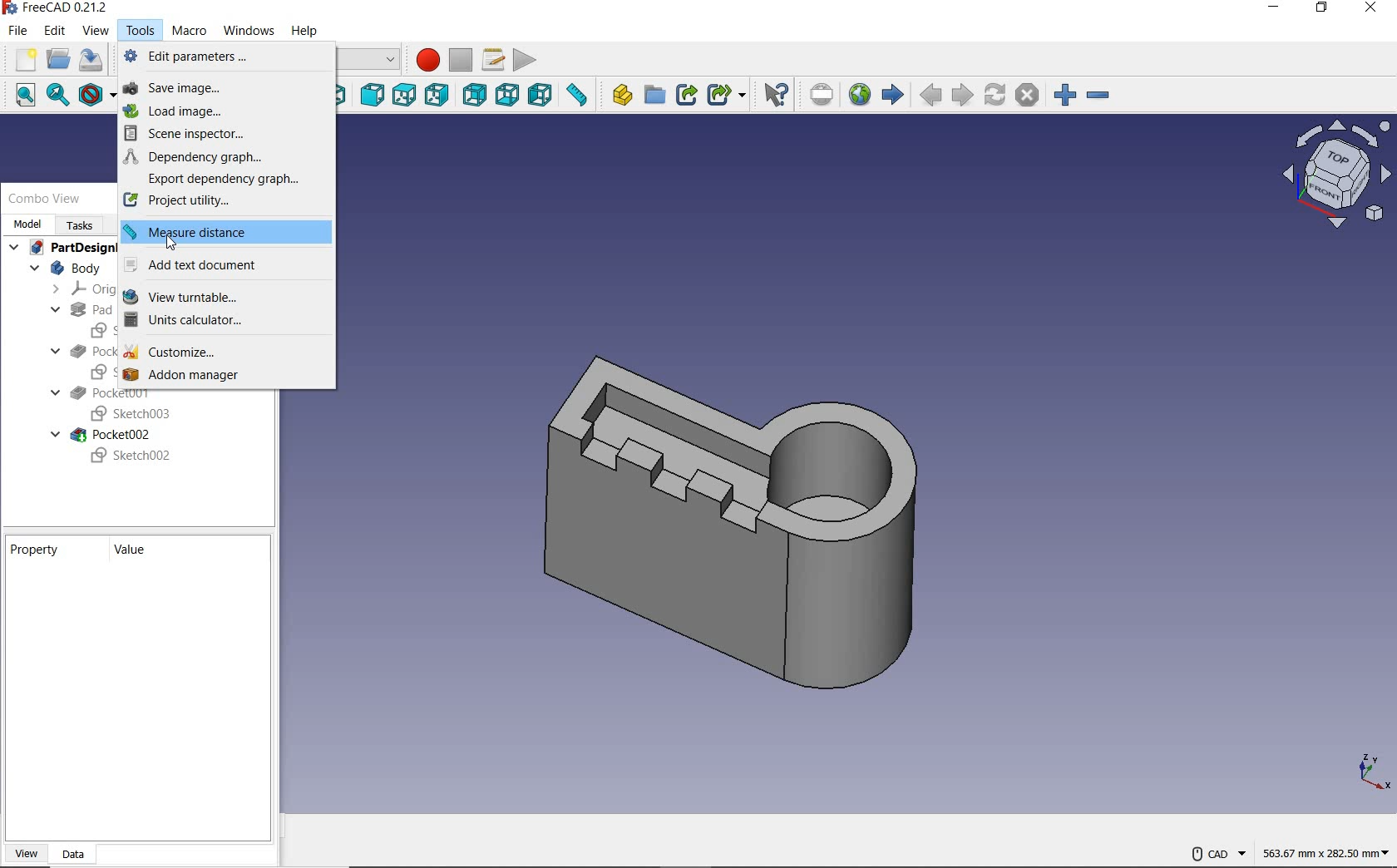 This screenshot has height=868, width=1397. I want to click on UNITS CALCULATOR, so click(221, 323).